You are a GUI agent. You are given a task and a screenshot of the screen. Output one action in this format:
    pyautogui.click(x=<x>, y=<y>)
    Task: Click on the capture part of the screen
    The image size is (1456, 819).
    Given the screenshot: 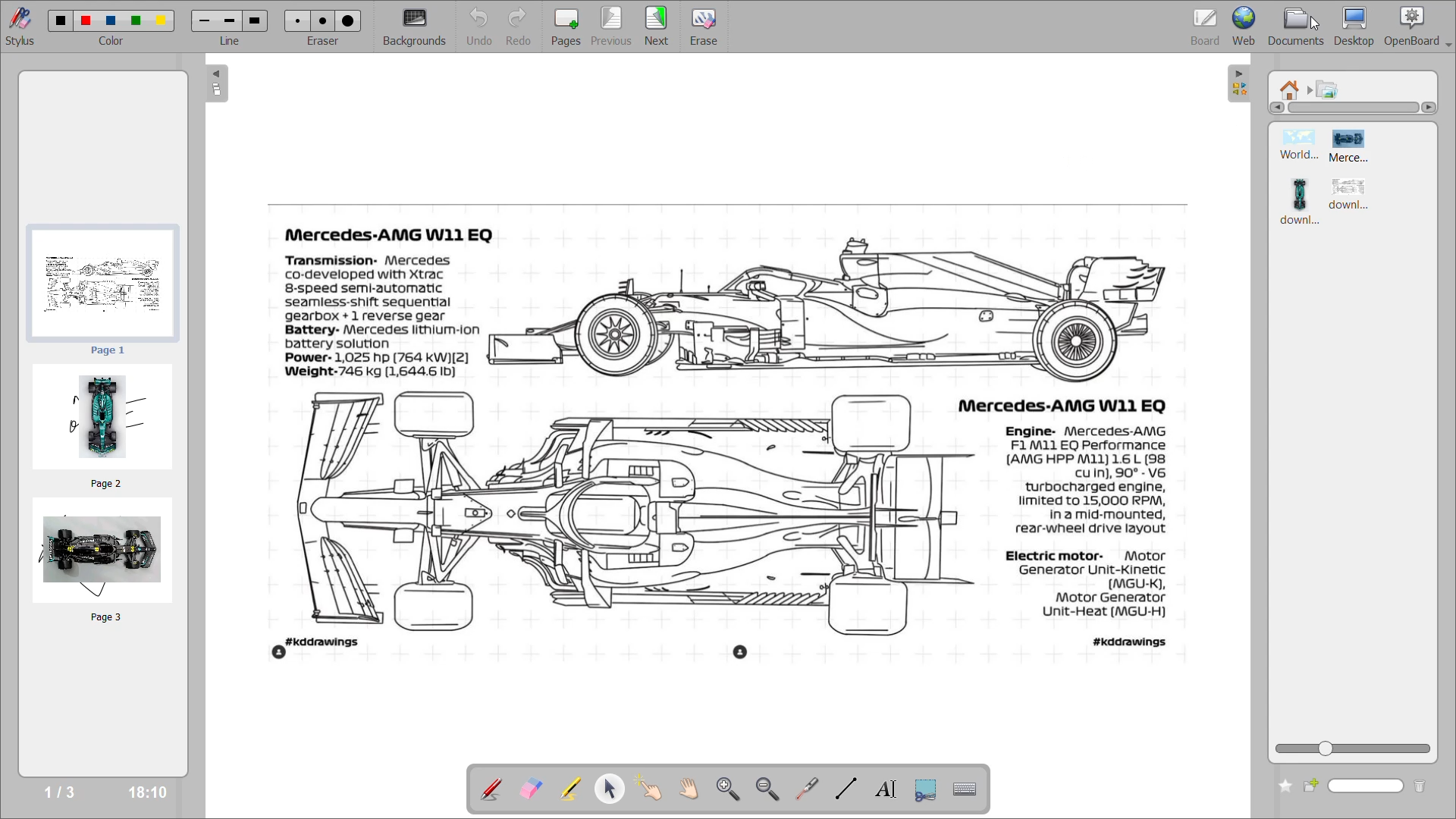 What is the action you would take?
    pyautogui.click(x=930, y=789)
    